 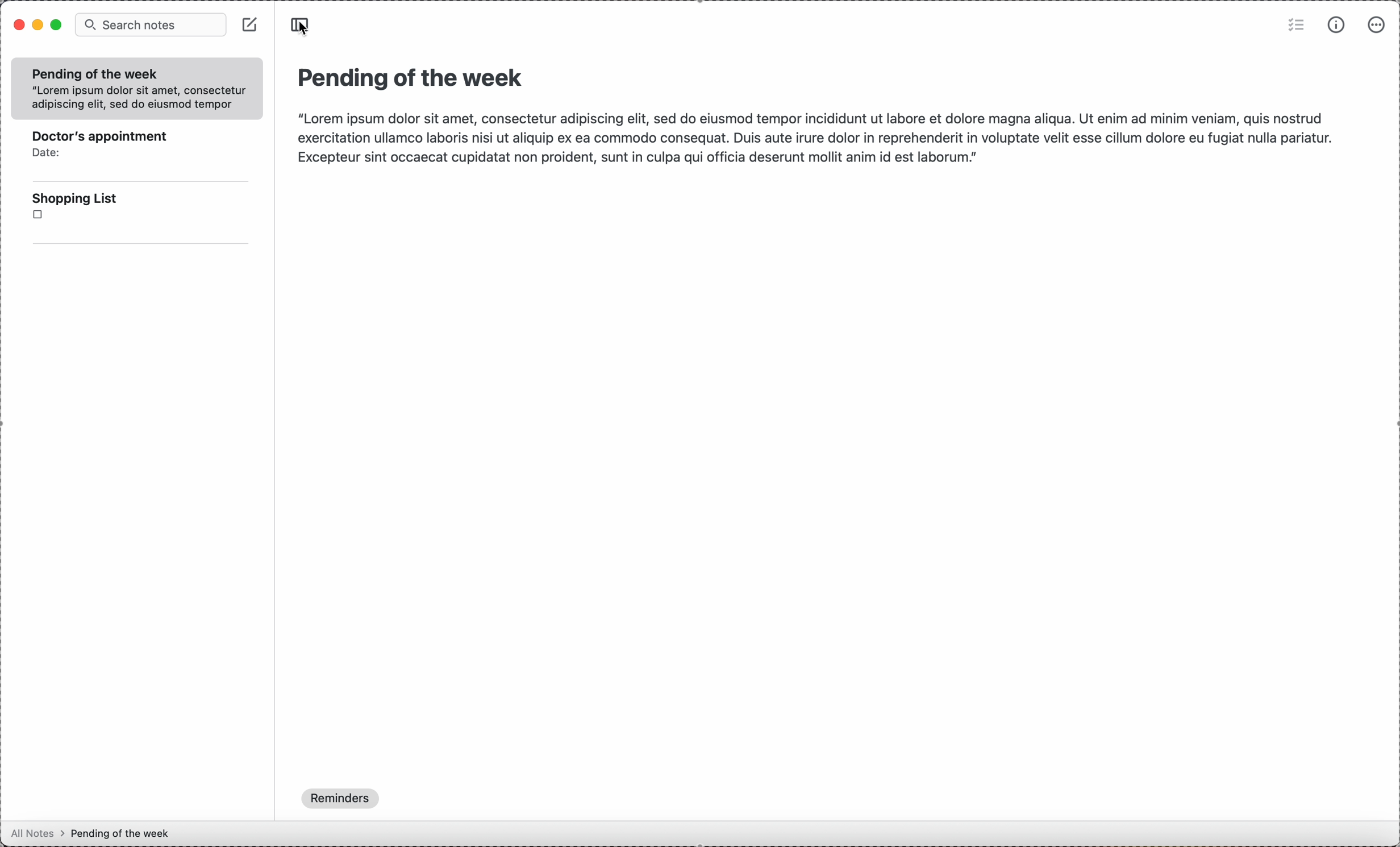 I want to click on click on toggle sidebar, so click(x=301, y=27).